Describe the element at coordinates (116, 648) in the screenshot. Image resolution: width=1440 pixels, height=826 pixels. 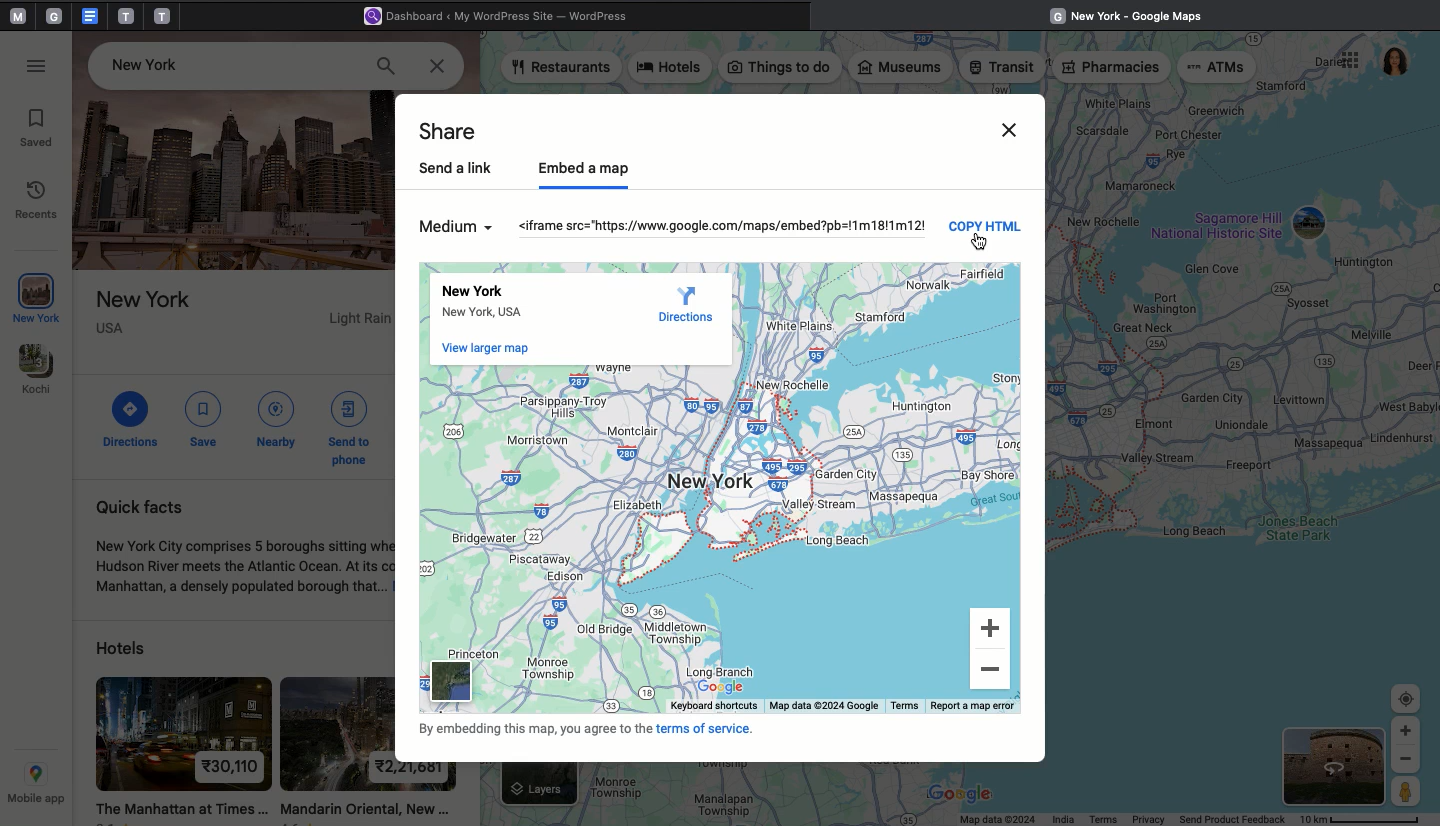
I see `Hotels` at that location.